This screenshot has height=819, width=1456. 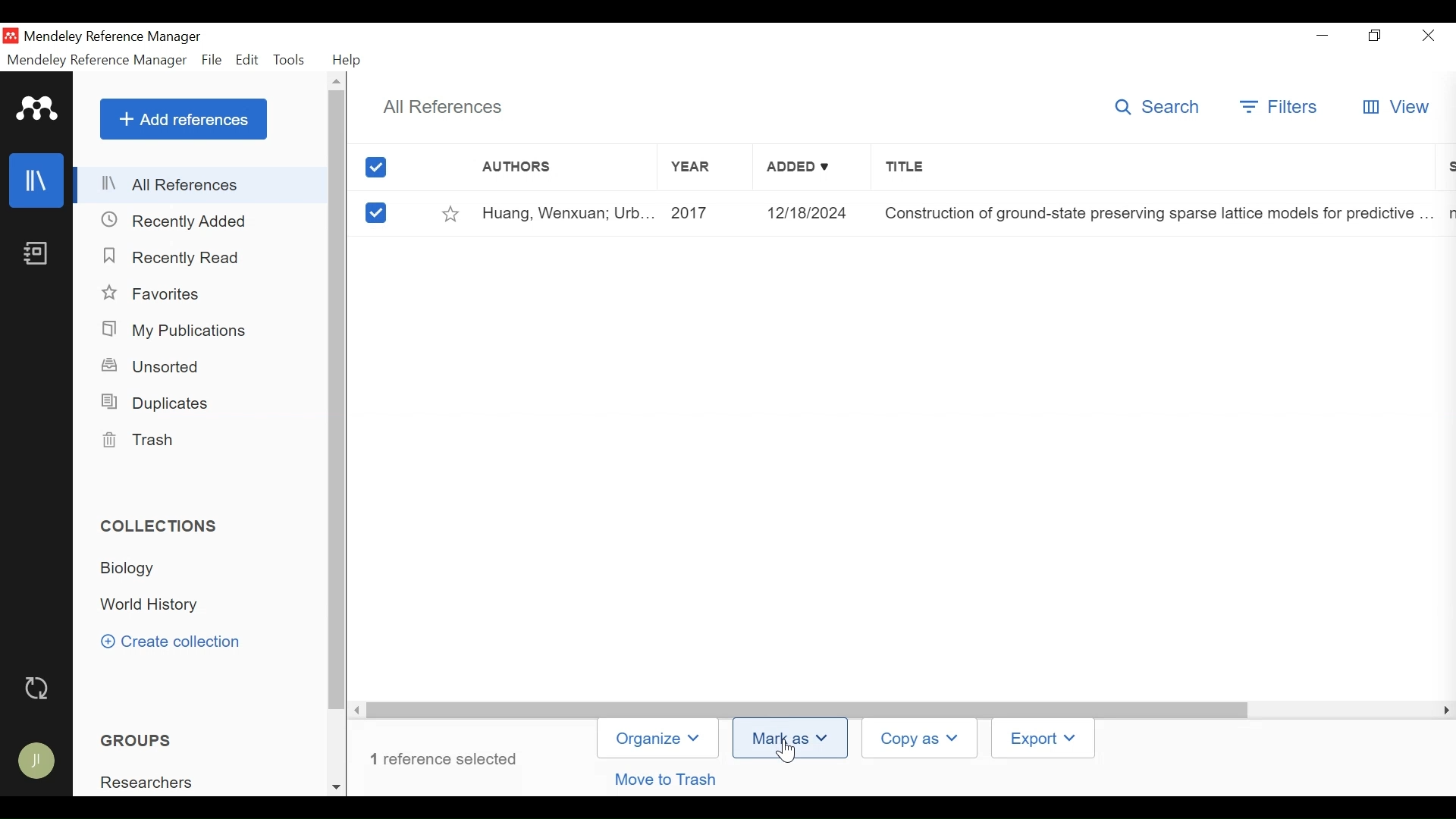 I want to click on Unsorted, so click(x=158, y=366).